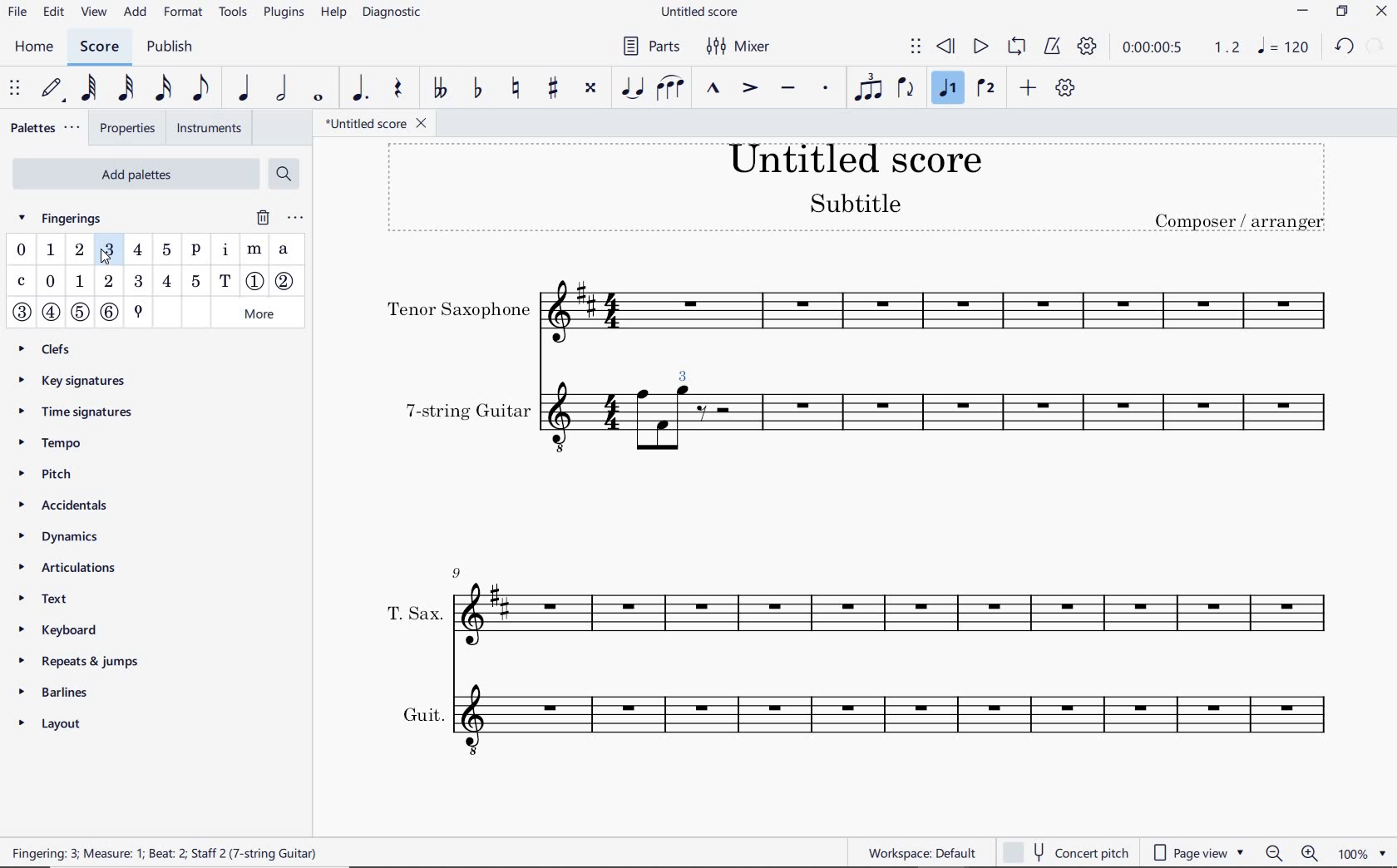 This screenshot has width=1397, height=868. What do you see at coordinates (922, 852) in the screenshot?
I see `workspace default` at bounding box center [922, 852].